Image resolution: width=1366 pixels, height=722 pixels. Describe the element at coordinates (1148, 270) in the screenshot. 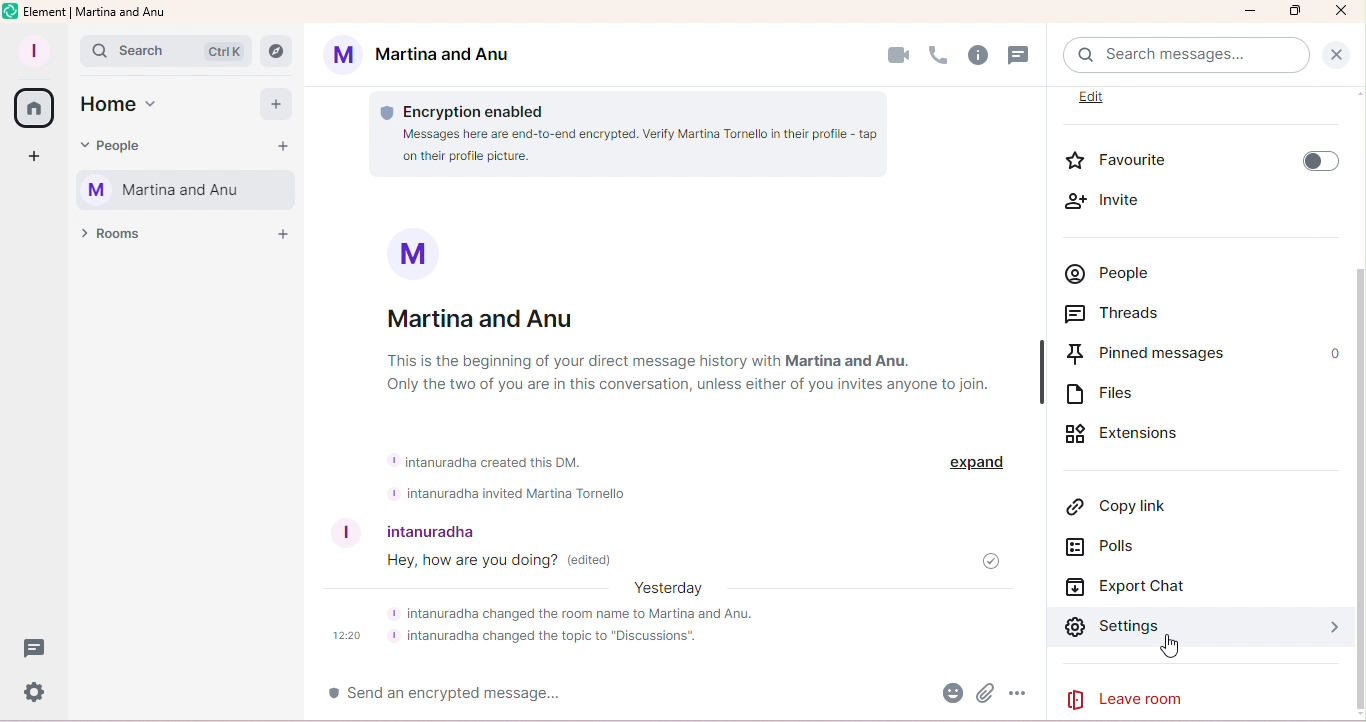

I see `People` at that location.